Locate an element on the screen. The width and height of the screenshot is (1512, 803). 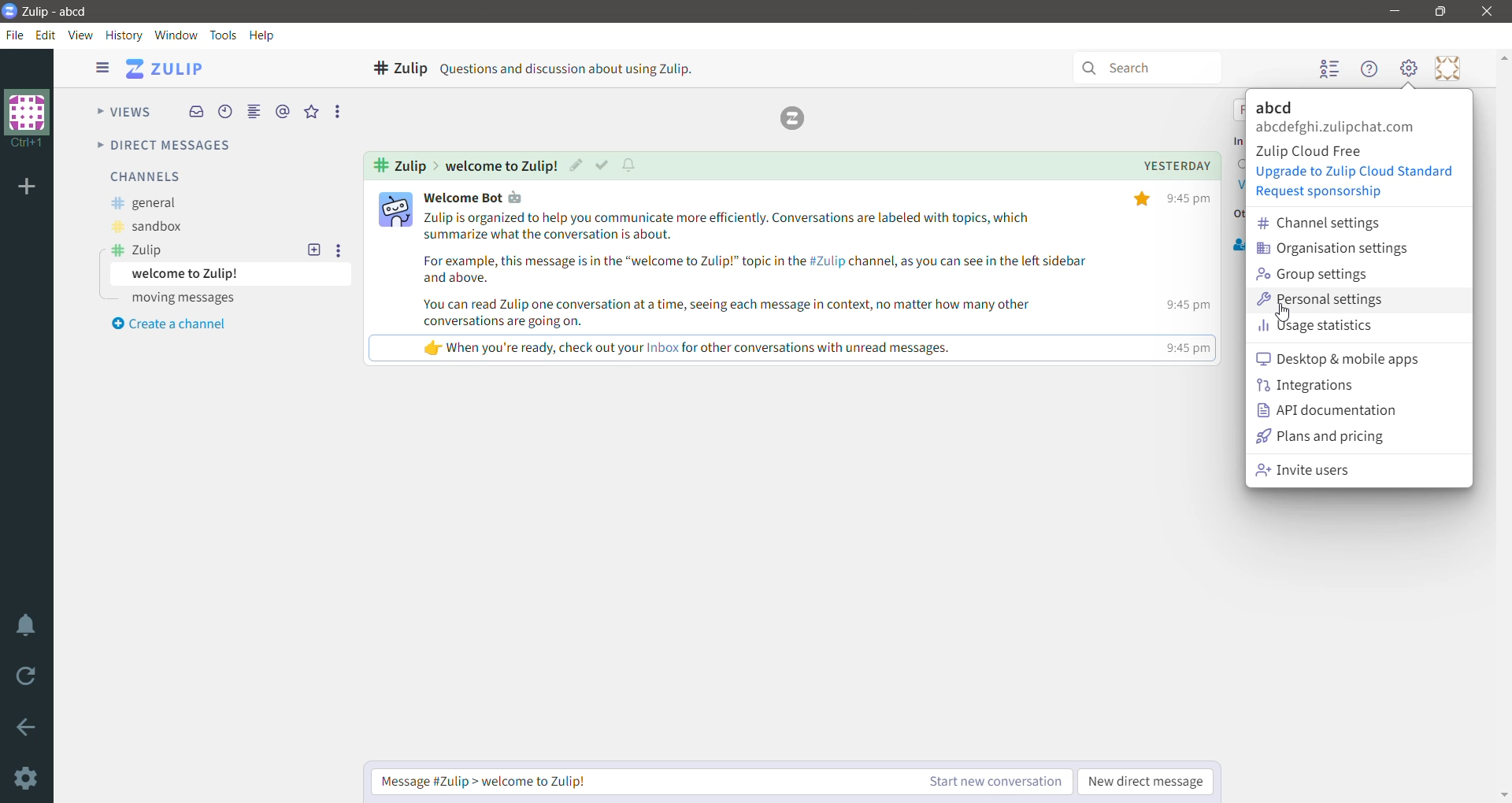
ZULIP(Application Name) is located at coordinates (169, 69).